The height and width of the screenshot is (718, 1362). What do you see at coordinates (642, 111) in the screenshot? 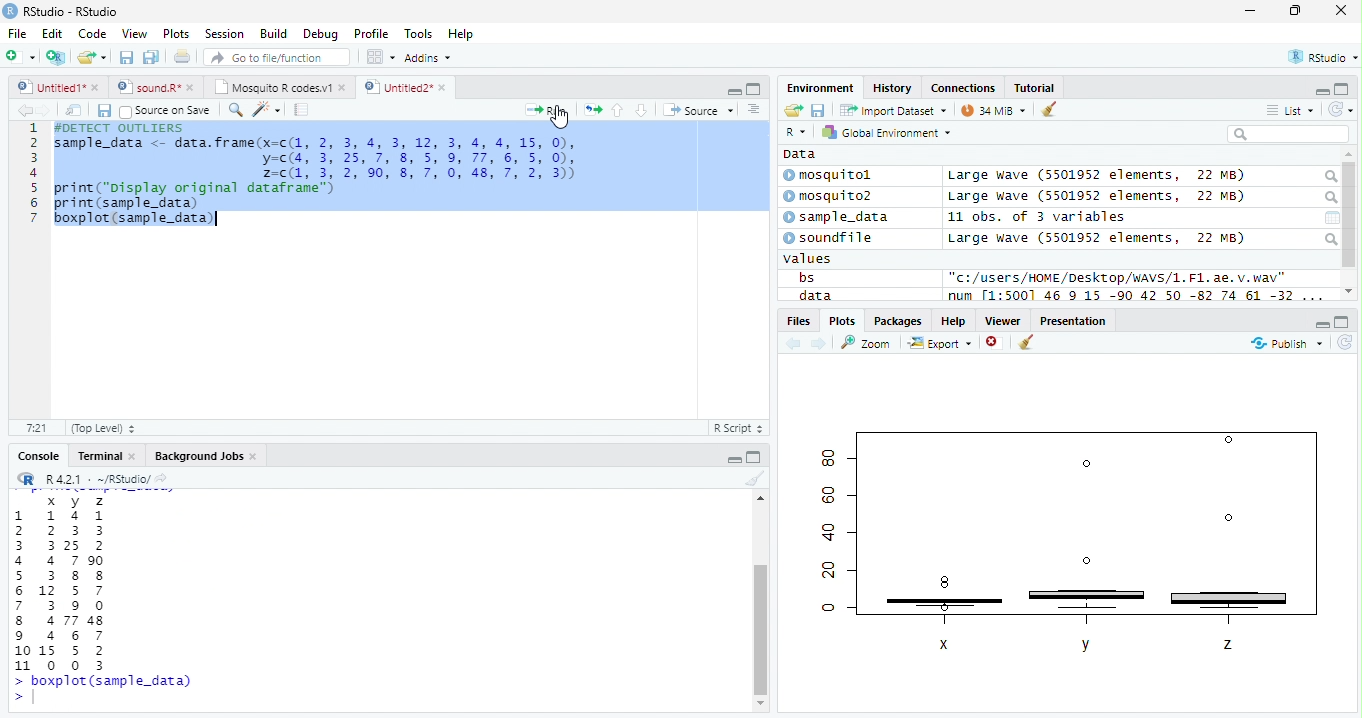
I see `Go to next session` at bounding box center [642, 111].